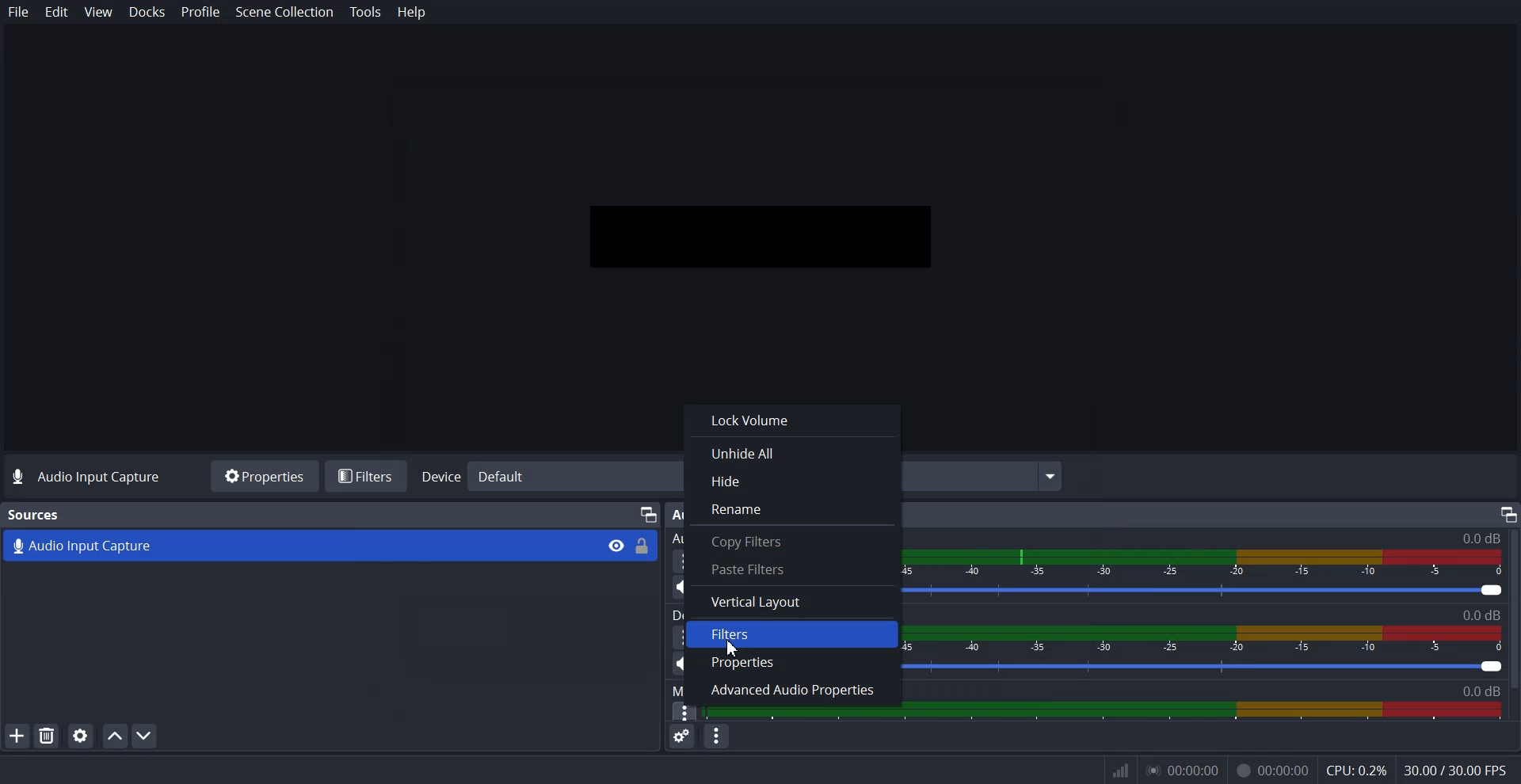 The width and height of the screenshot is (1521, 784). Describe the element at coordinates (678, 516) in the screenshot. I see `Audio Mixer` at that location.